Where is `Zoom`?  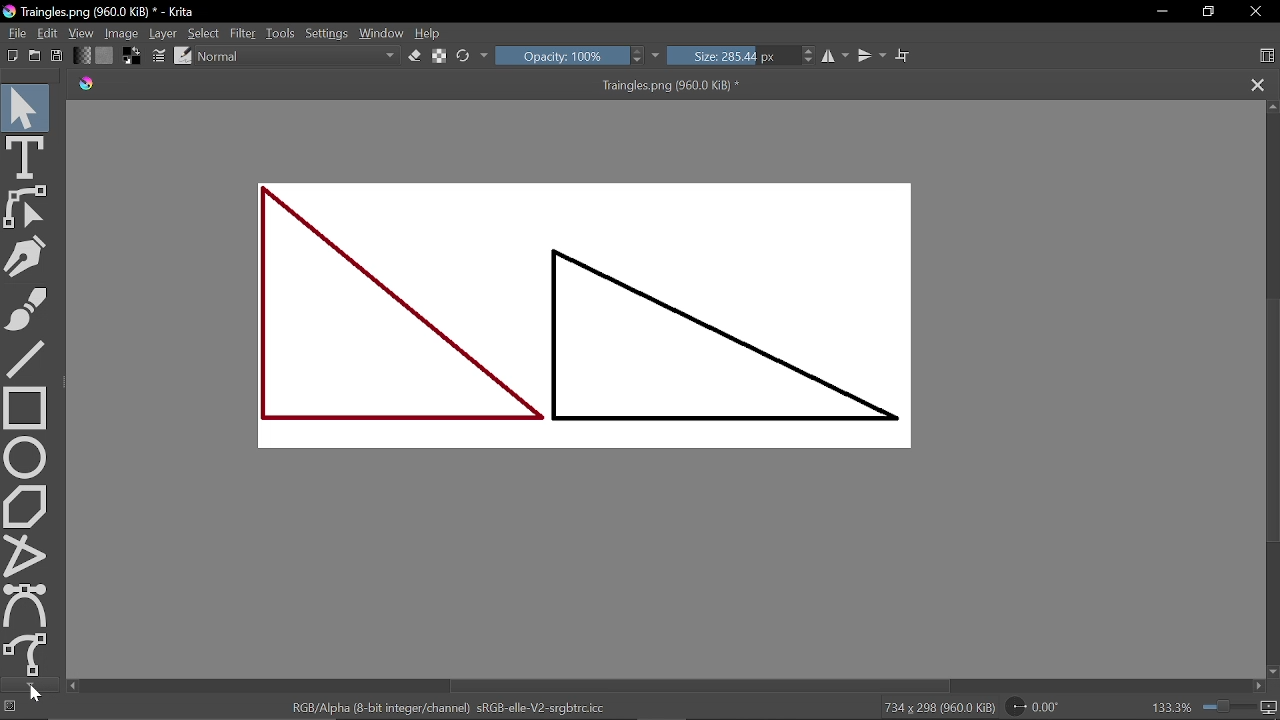 Zoom is located at coordinates (1270, 708).